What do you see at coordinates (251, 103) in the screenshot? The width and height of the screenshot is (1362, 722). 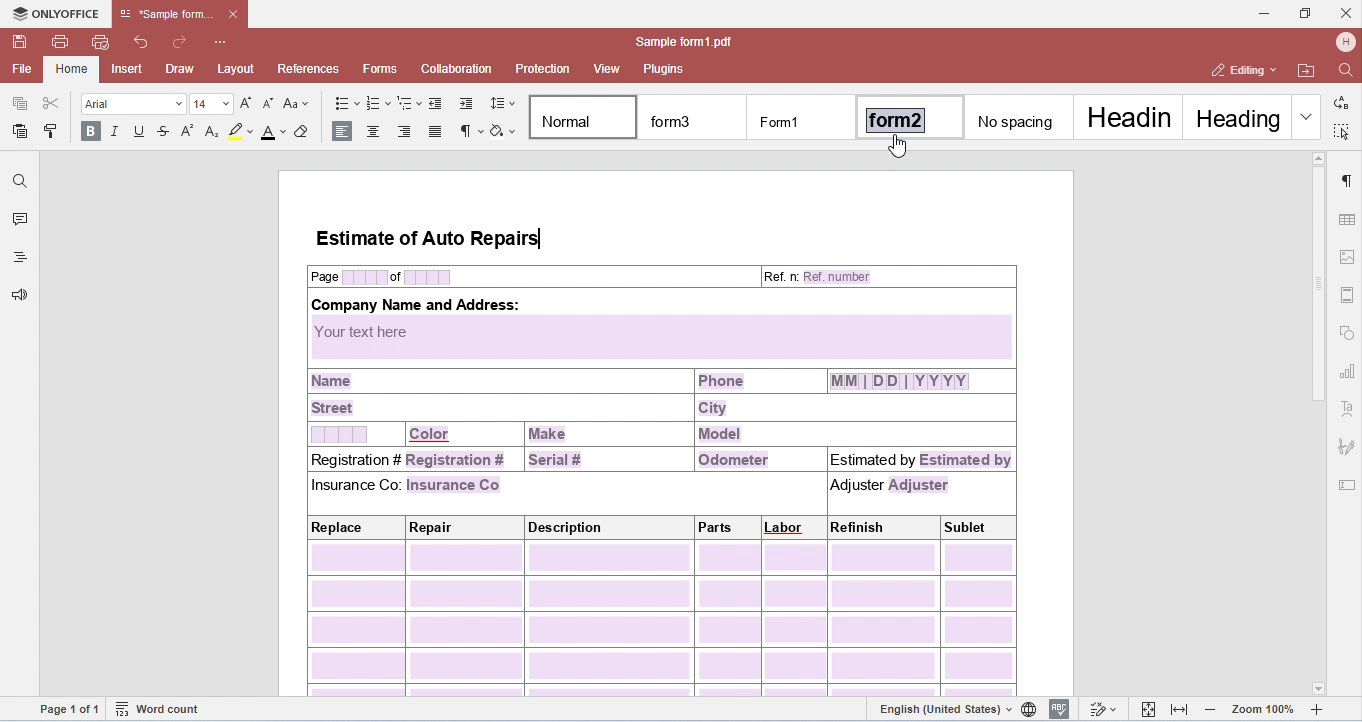 I see `increment font size` at bounding box center [251, 103].